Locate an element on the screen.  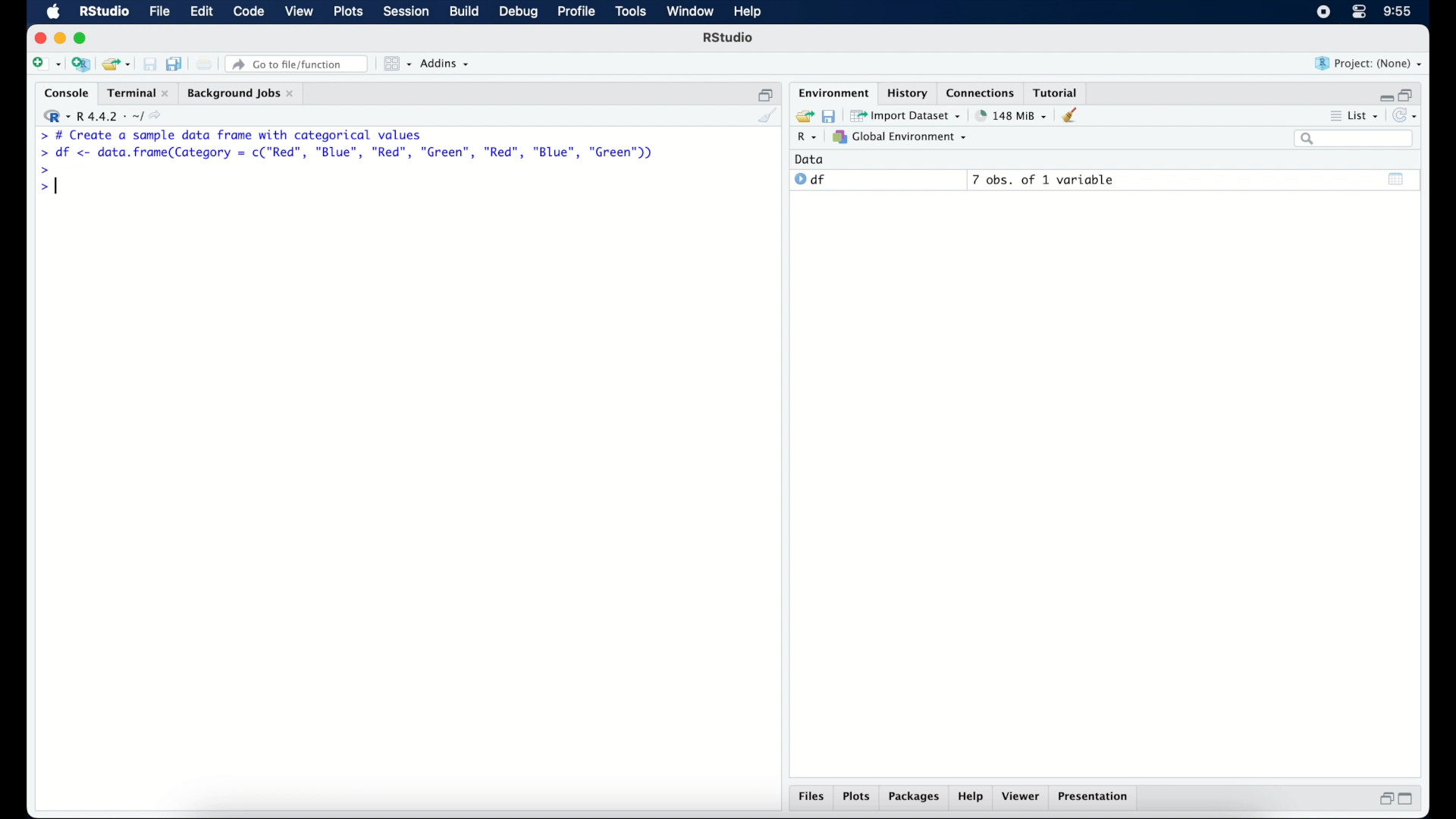
background jobs is located at coordinates (243, 93).